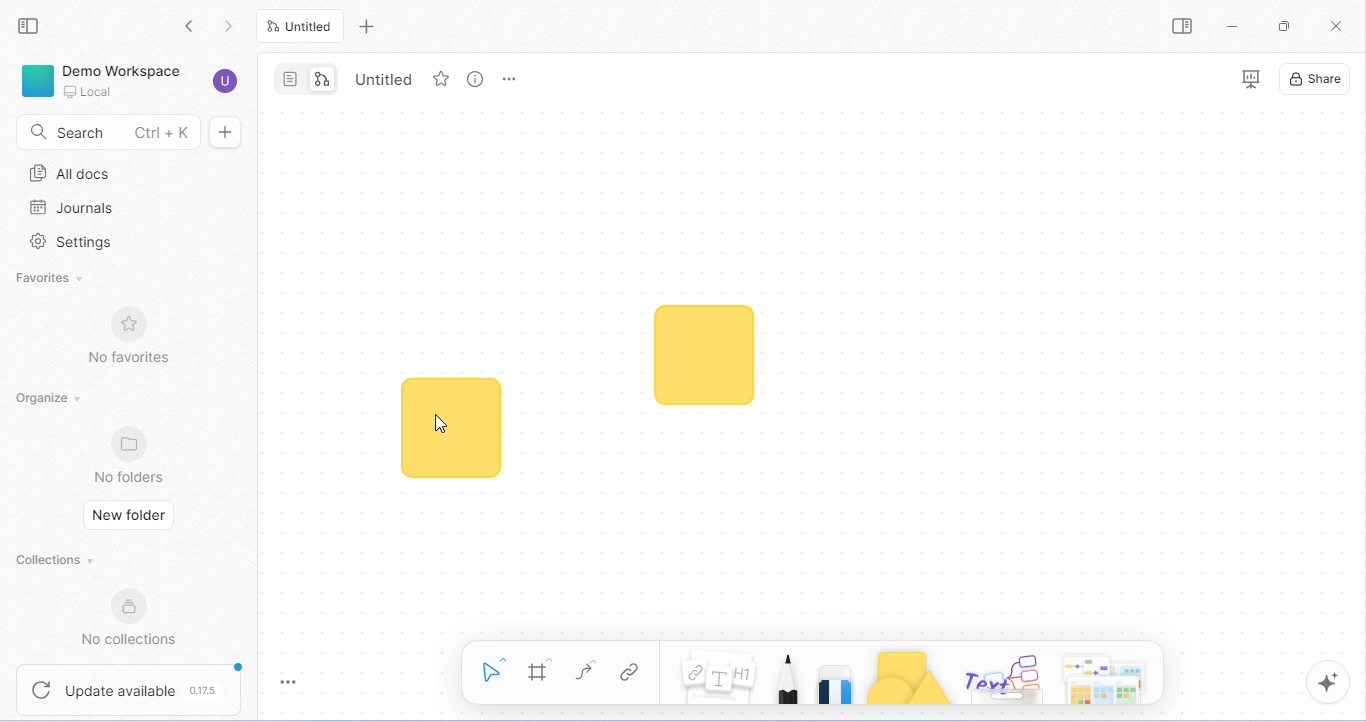 The height and width of the screenshot is (722, 1366). Describe the element at coordinates (443, 423) in the screenshot. I see `cursor` at that location.